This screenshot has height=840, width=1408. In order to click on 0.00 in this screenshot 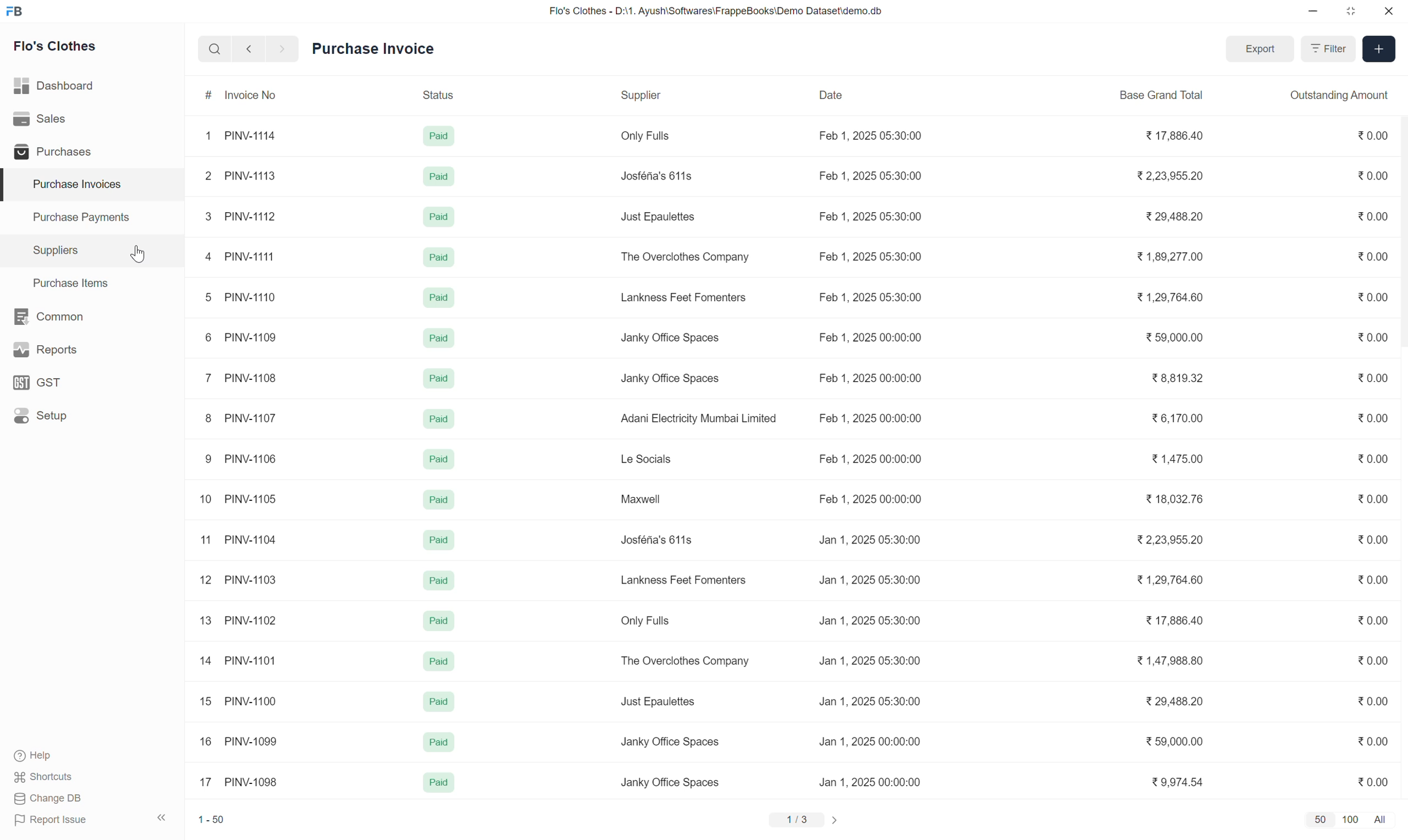, I will do `click(1373, 378)`.